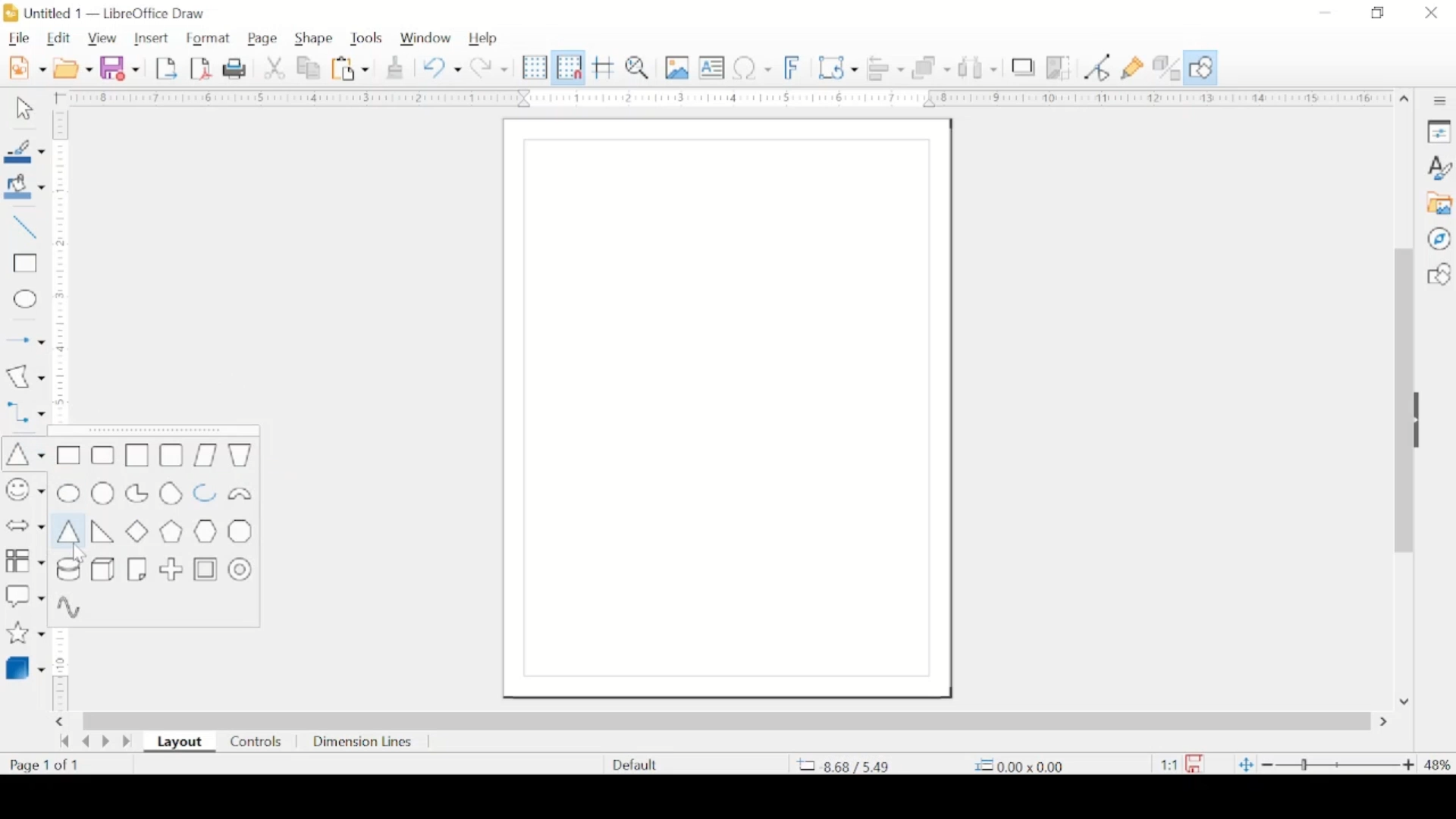 This screenshot has width=1456, height=819. What do you see at coordinates (1441, 204) in the screenshot?
I see `gallery` at bounding box center [1441, 204].